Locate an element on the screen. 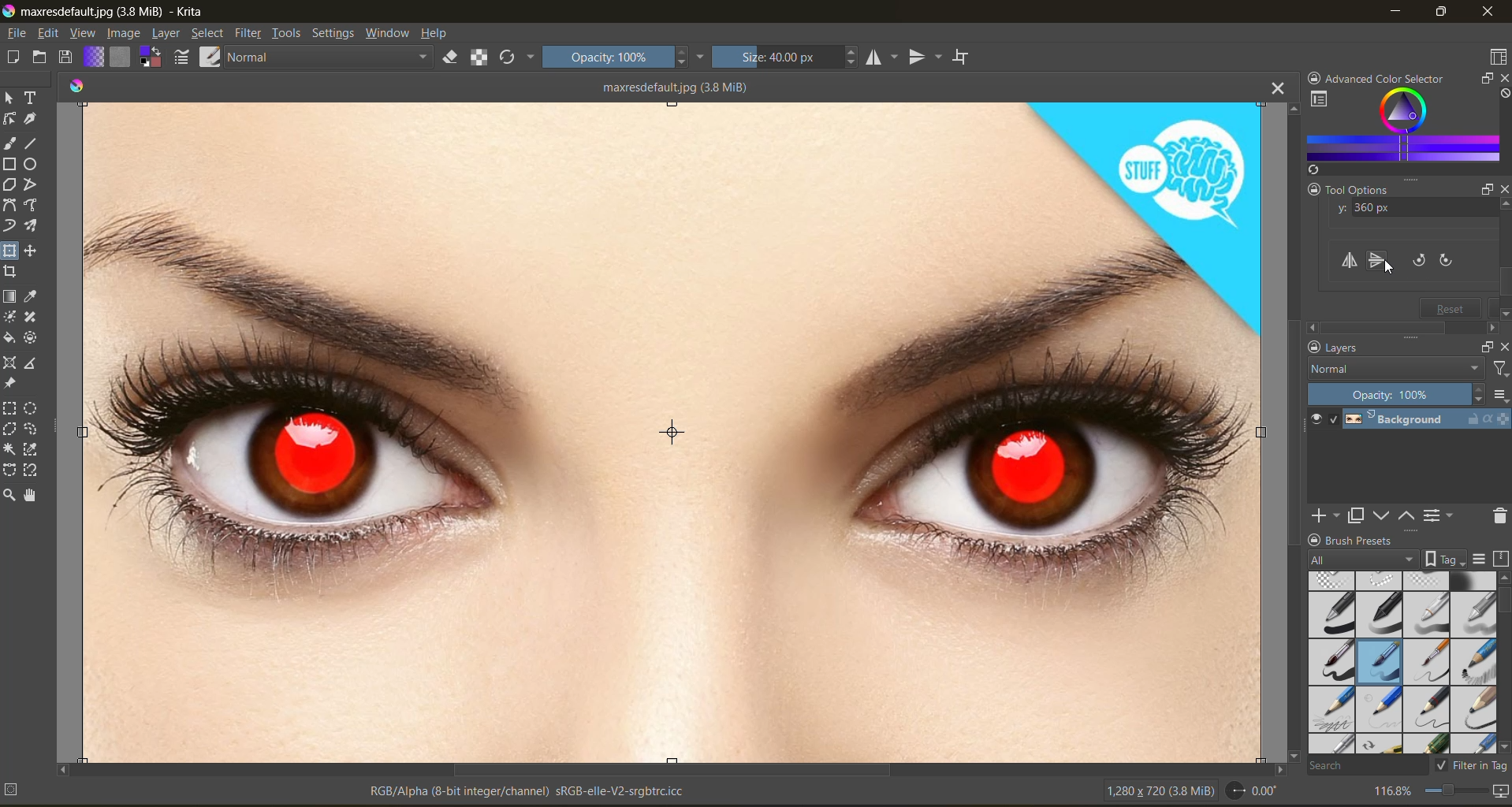 The image size is (1512, 807). tool is located at coordinates (32, 318).